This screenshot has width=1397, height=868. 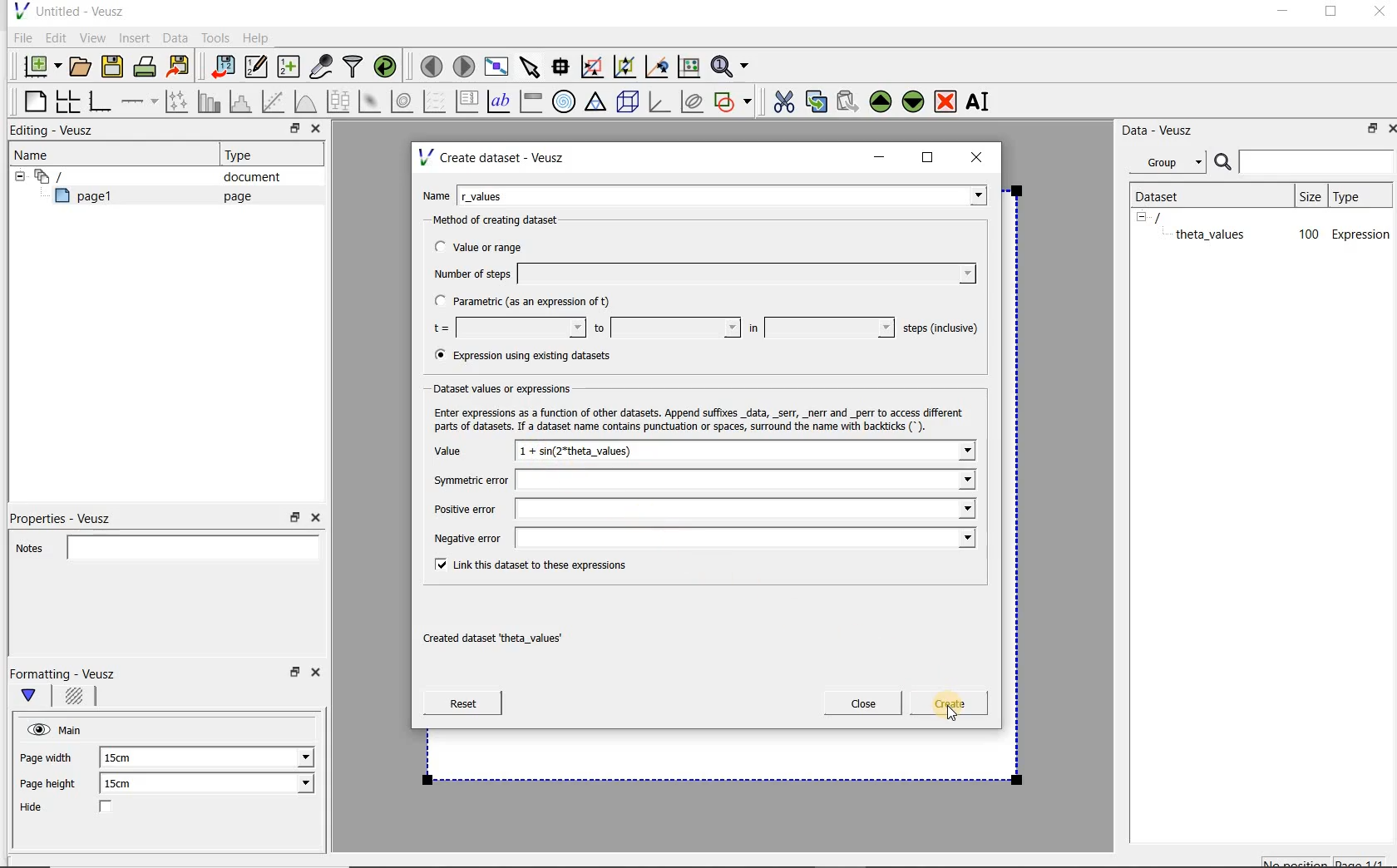 I want to click on import data into Veusz, so click(x=221, y=67).